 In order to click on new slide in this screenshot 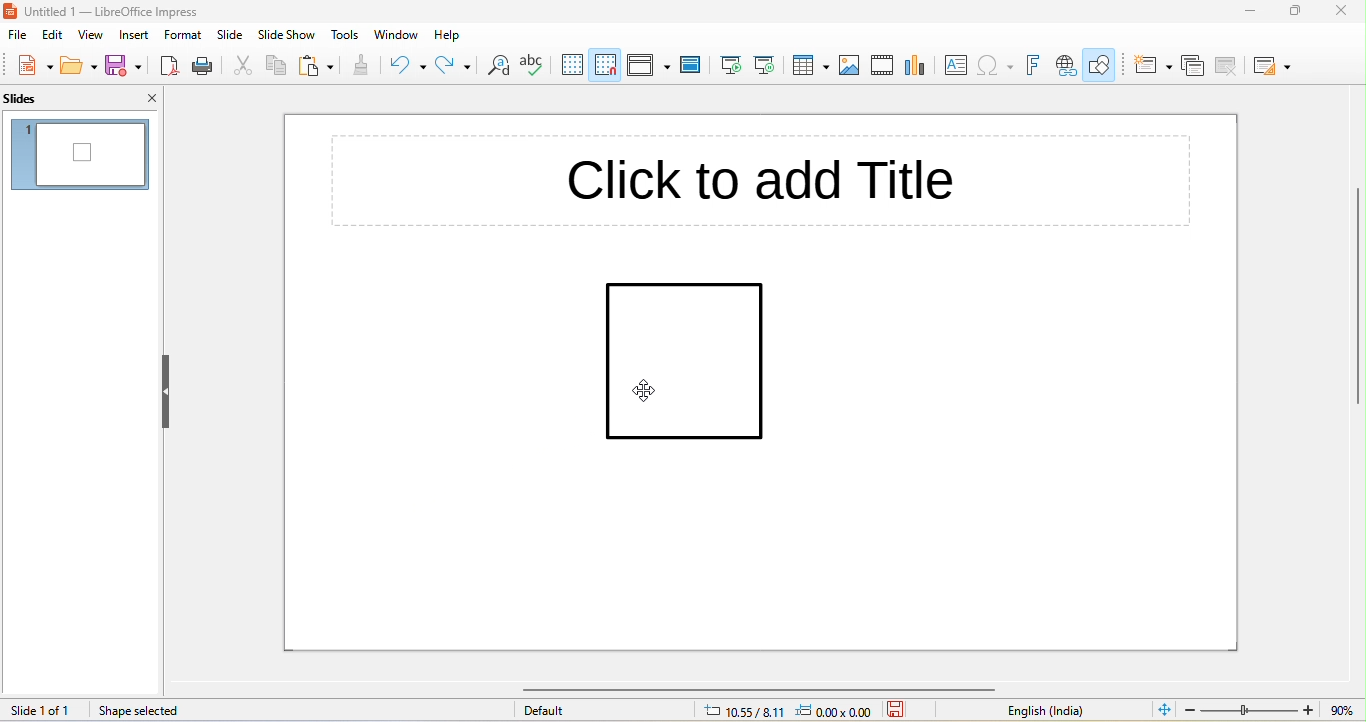, I will do `click(1152, 65)`.